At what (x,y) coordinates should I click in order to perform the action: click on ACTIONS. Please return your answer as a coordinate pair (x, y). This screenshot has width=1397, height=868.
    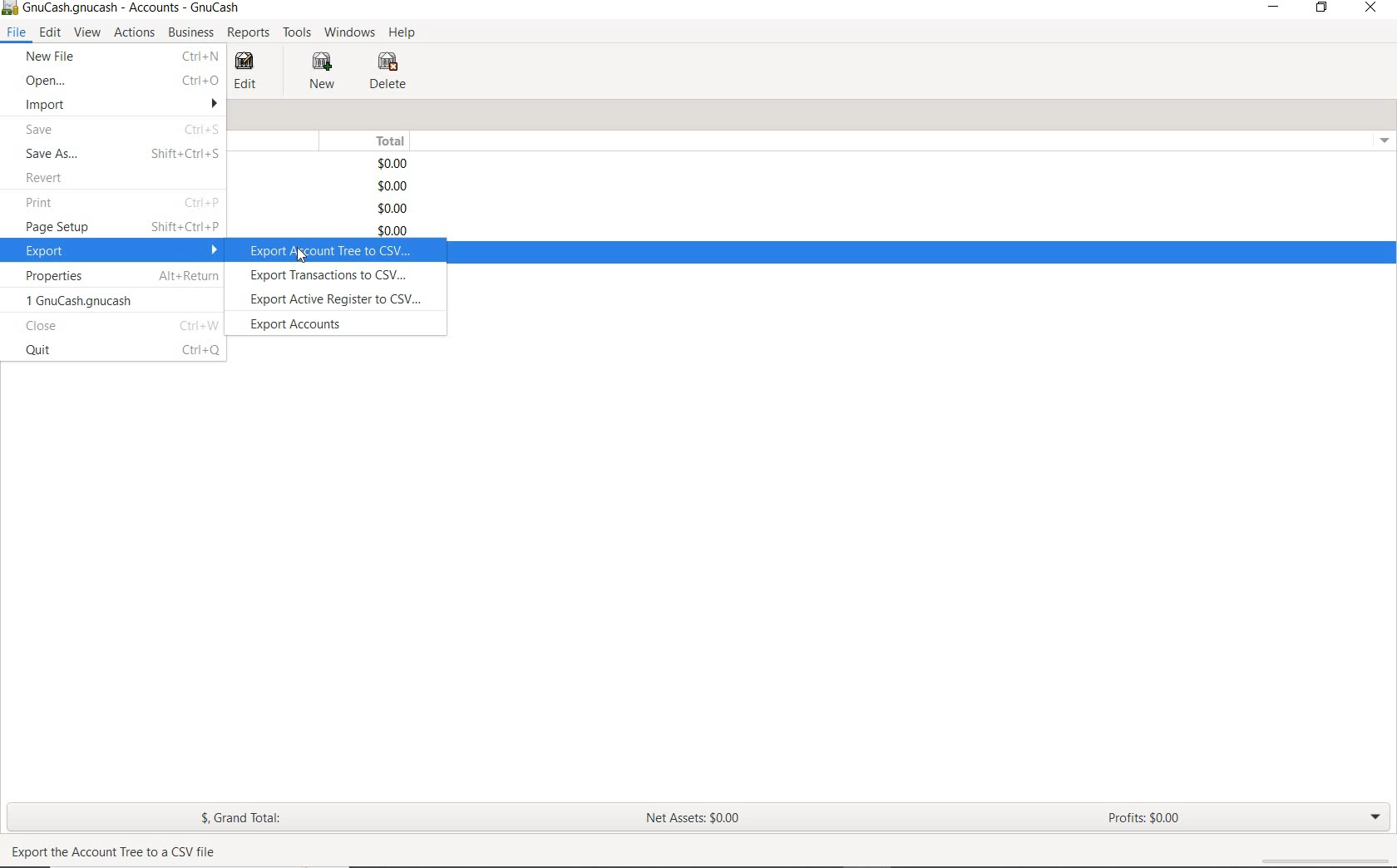
    Looking at the image, I should click on (135, 36).